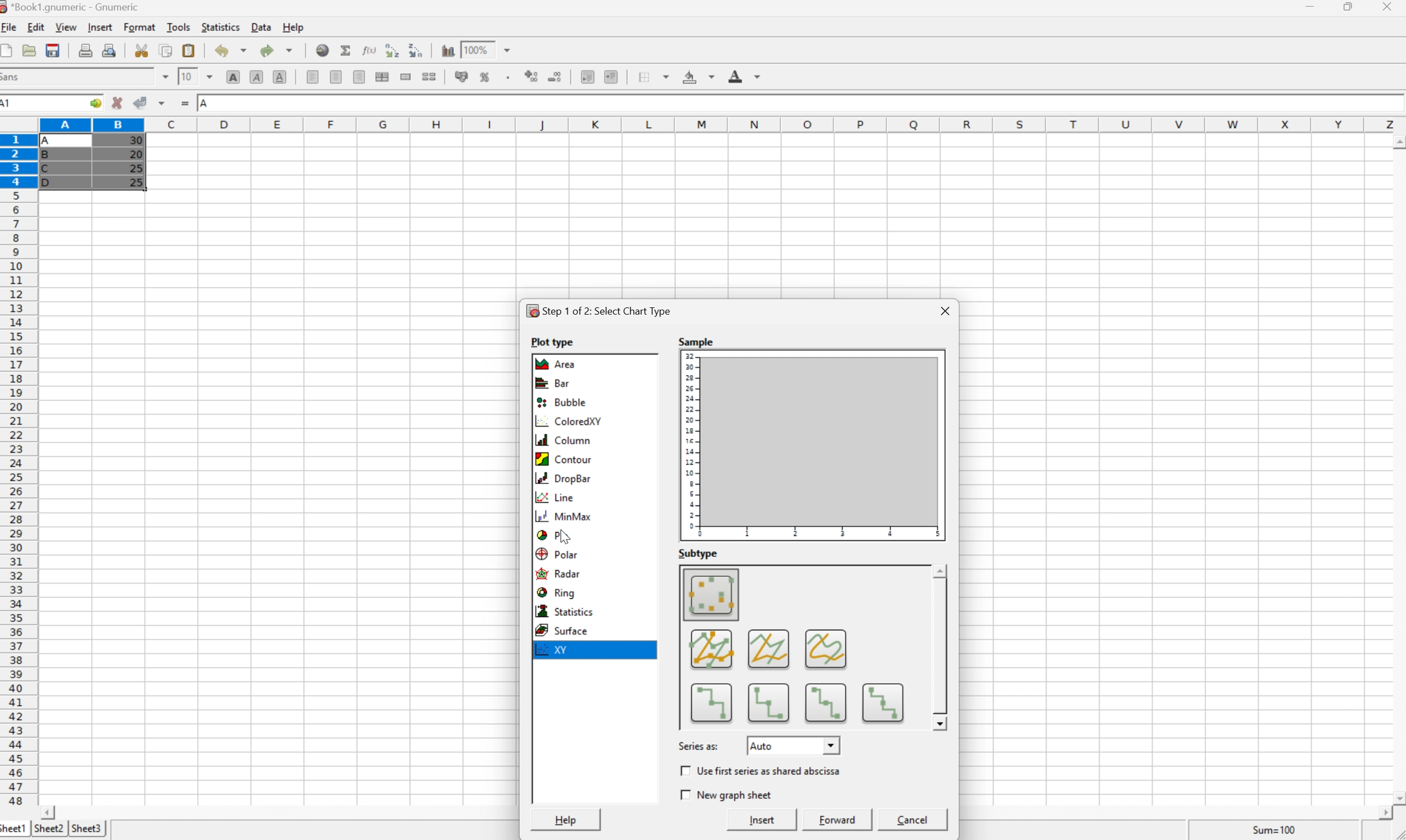 The height and width of the screenshot is (840, 1406). What do you see at coordinates (360, 77) in the screenshot?
I see `Align Right` at bounding box center [360, 77].